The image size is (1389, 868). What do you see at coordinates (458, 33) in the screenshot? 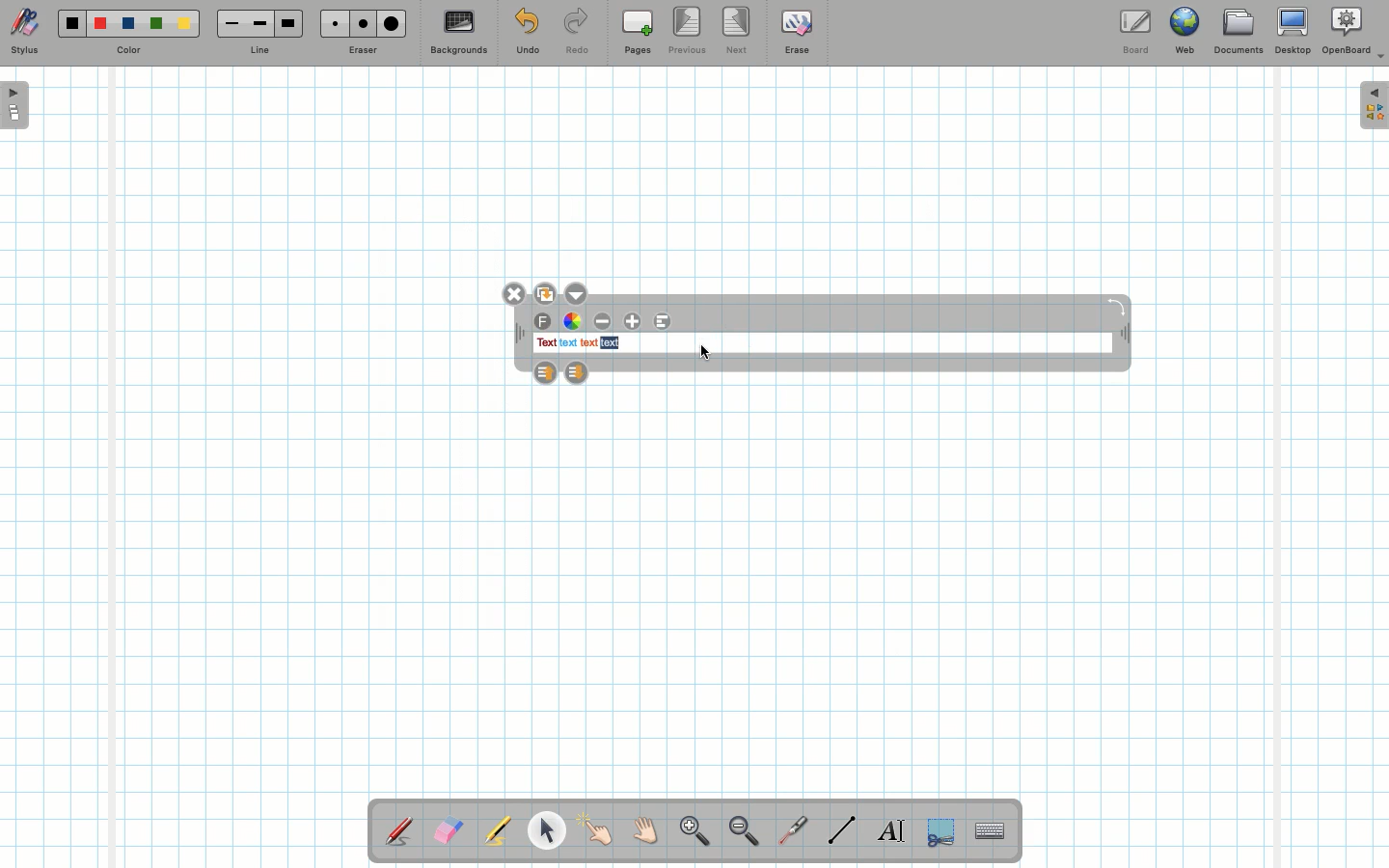
I see `Backgrounds` at bounding box center [458, 33].